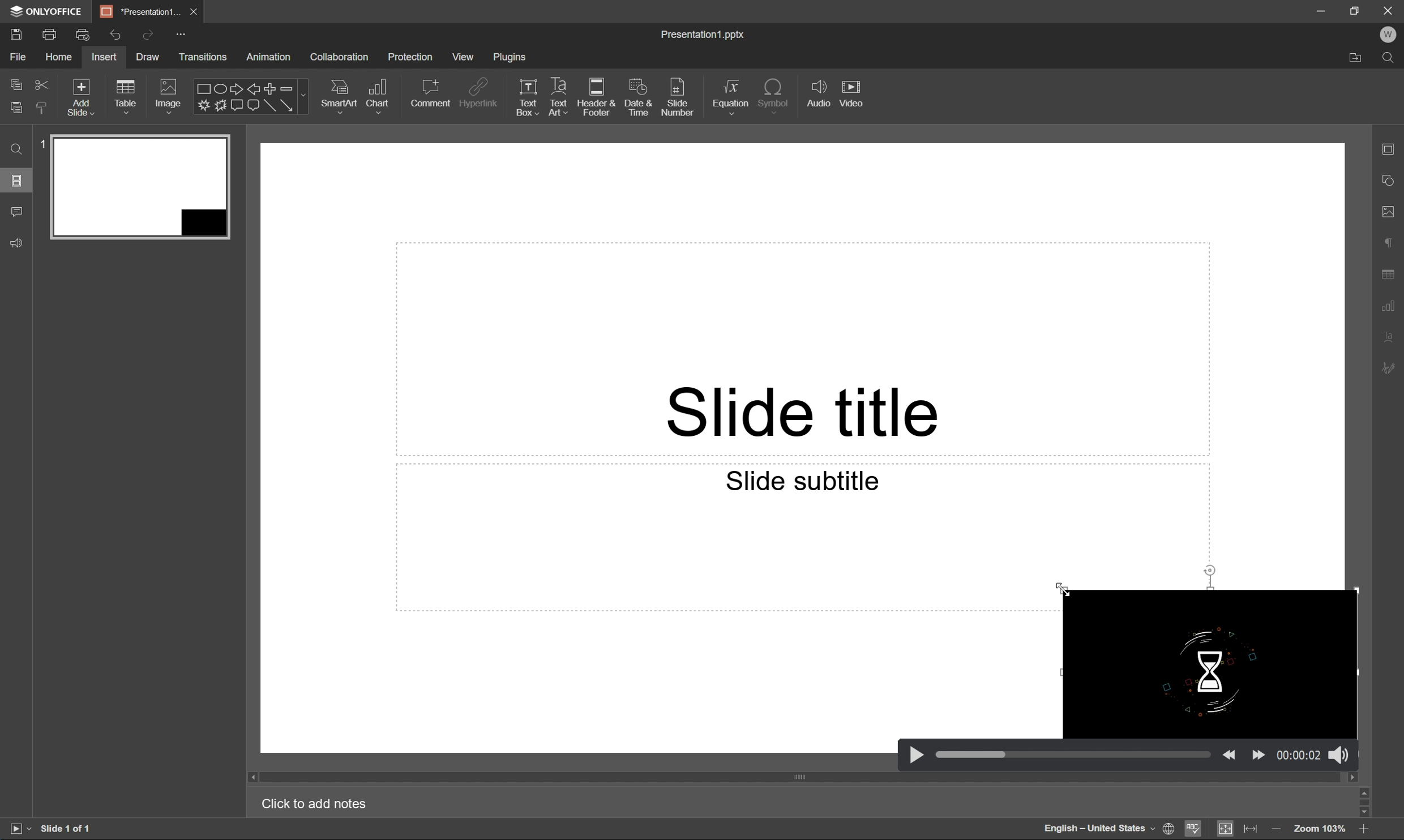 The image size is (1404, 840). I want to click on slides, so click(17, 182).